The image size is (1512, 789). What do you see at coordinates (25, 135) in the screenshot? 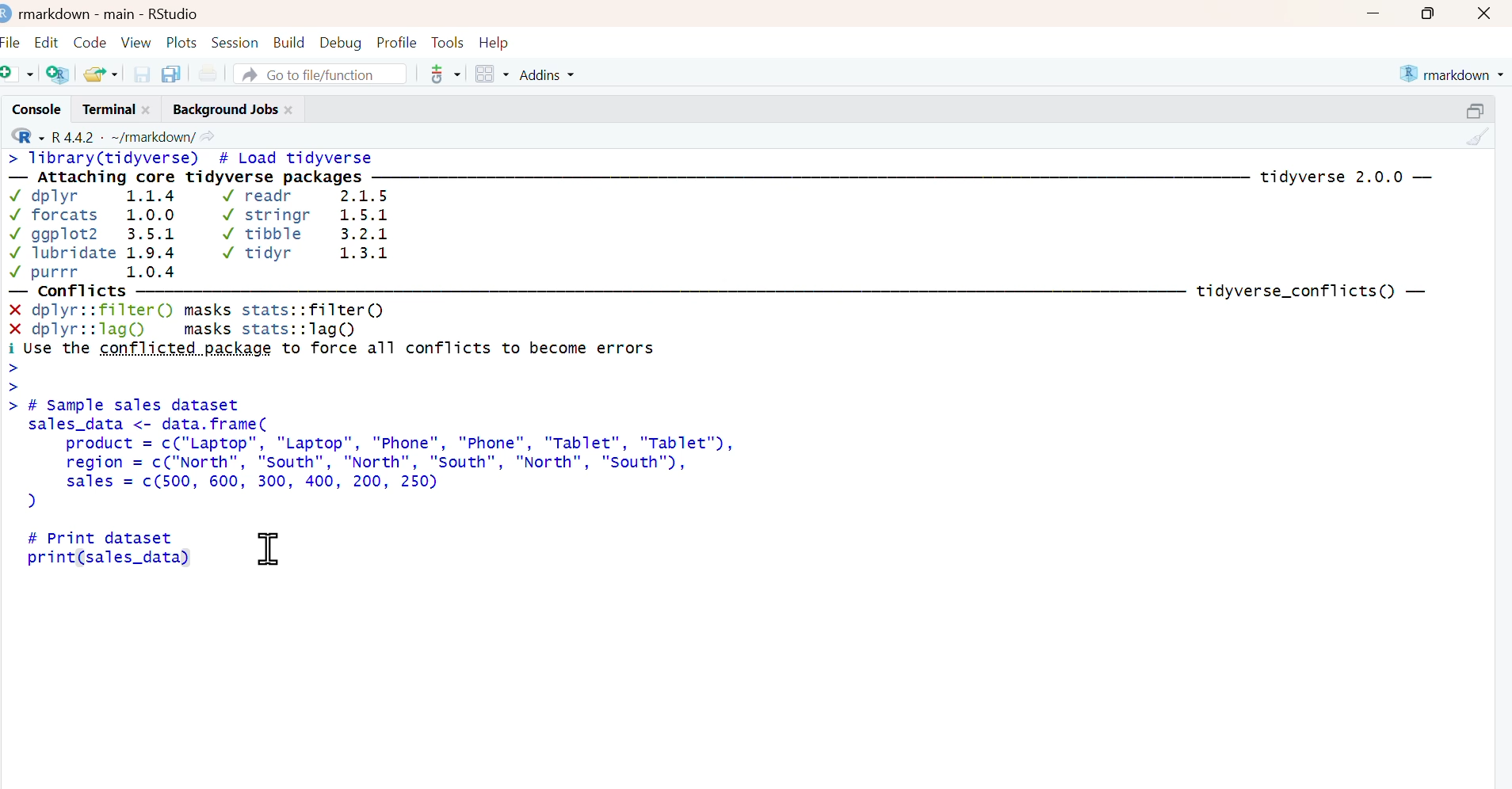
I see `R` at bounding box center [25, 135].